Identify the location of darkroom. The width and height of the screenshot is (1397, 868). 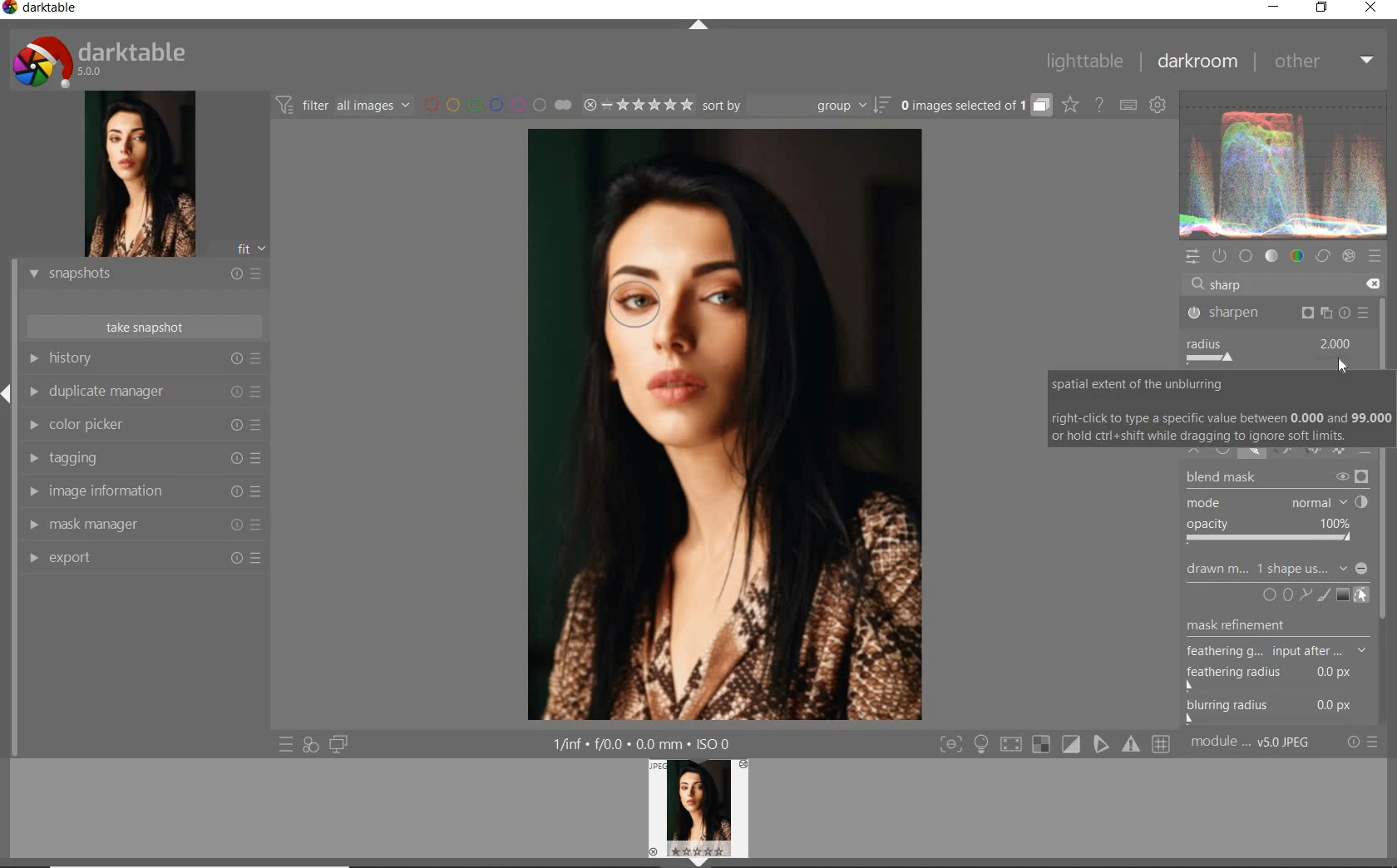
(1193, 60).